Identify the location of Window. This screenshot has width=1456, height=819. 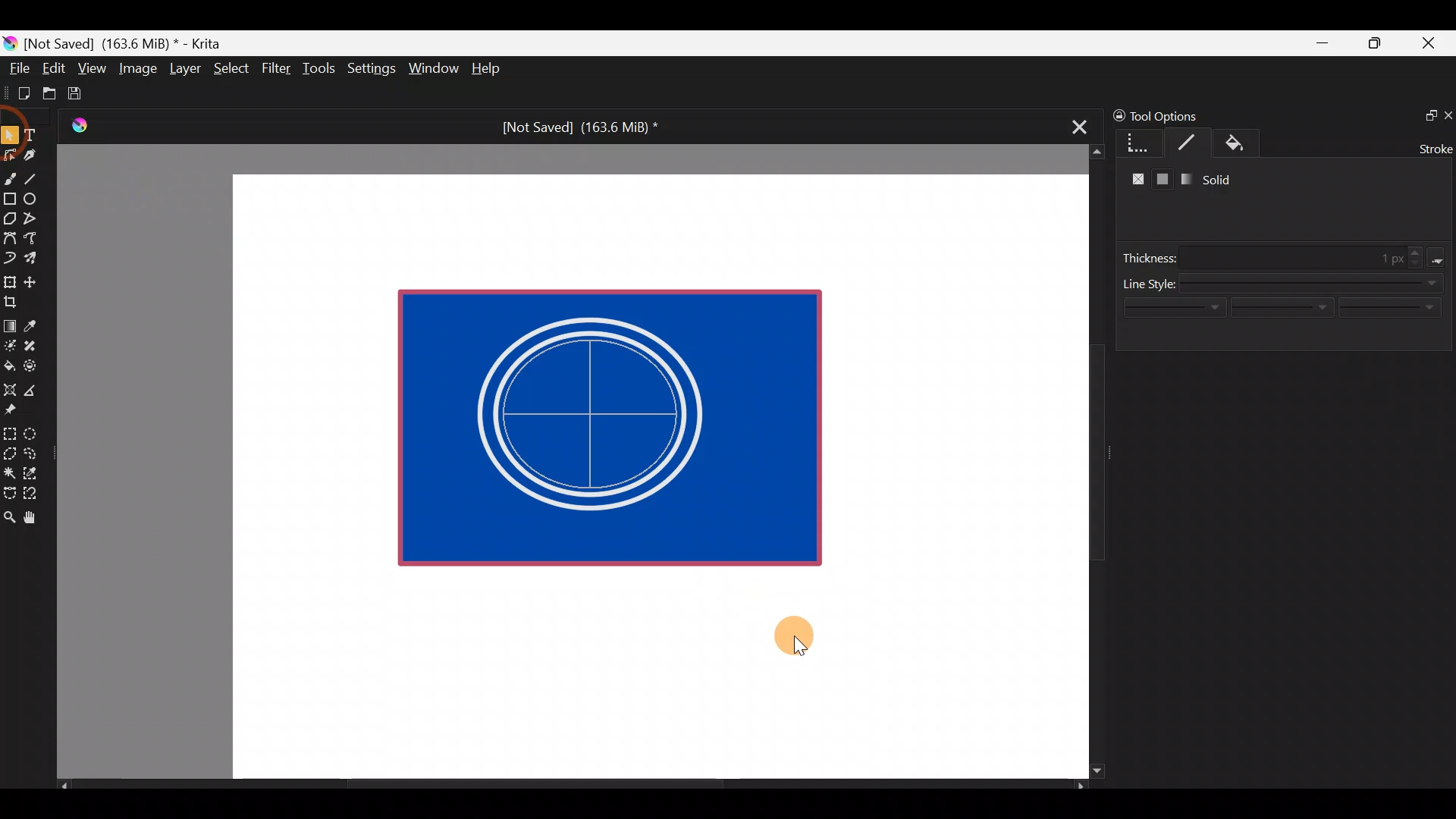
(433, 70).